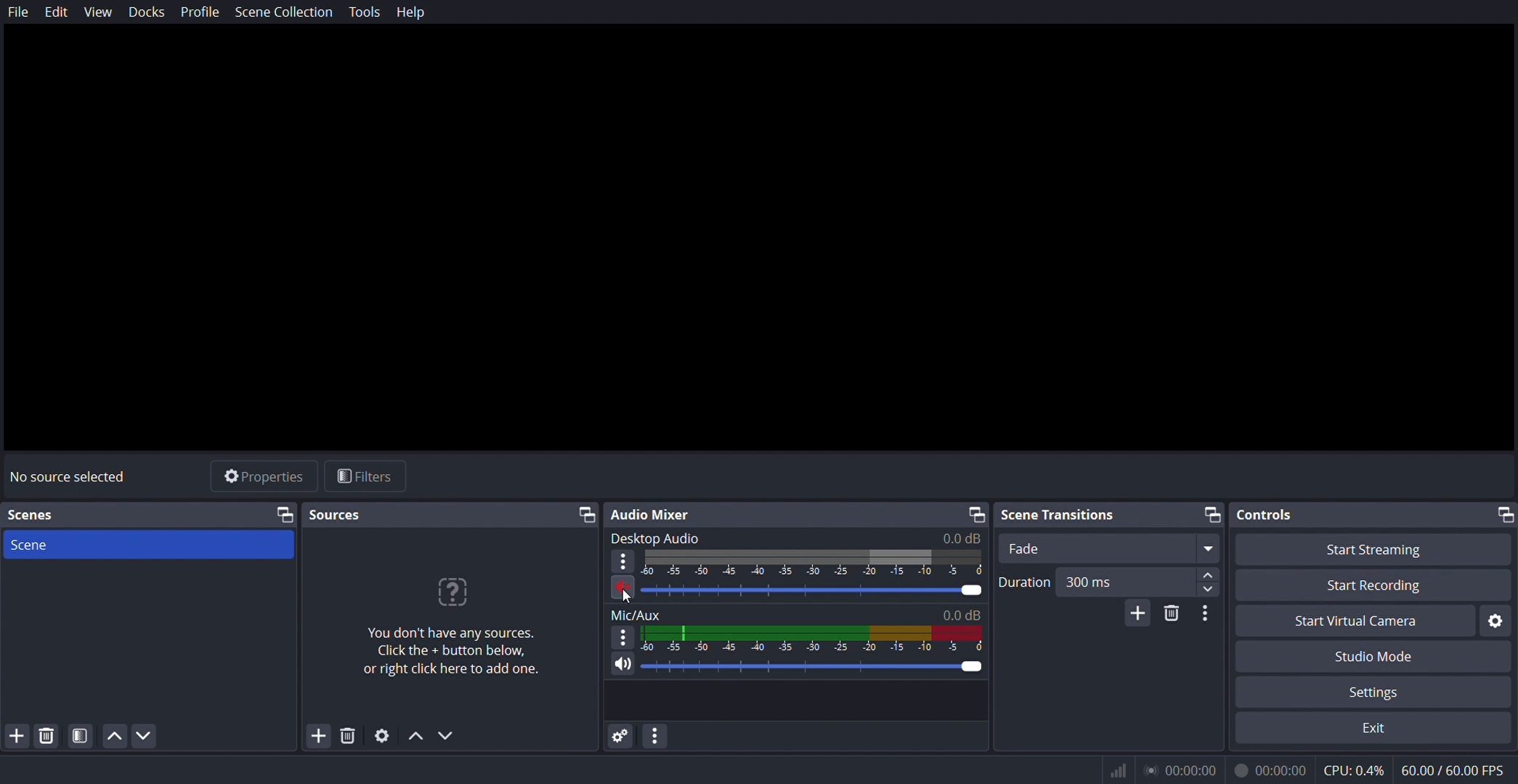 This screenshot has width=1518, height=784. What do you see at coordinates (152, 545) in the screenshot?
I see `scene` at bounding box center [152, 545].